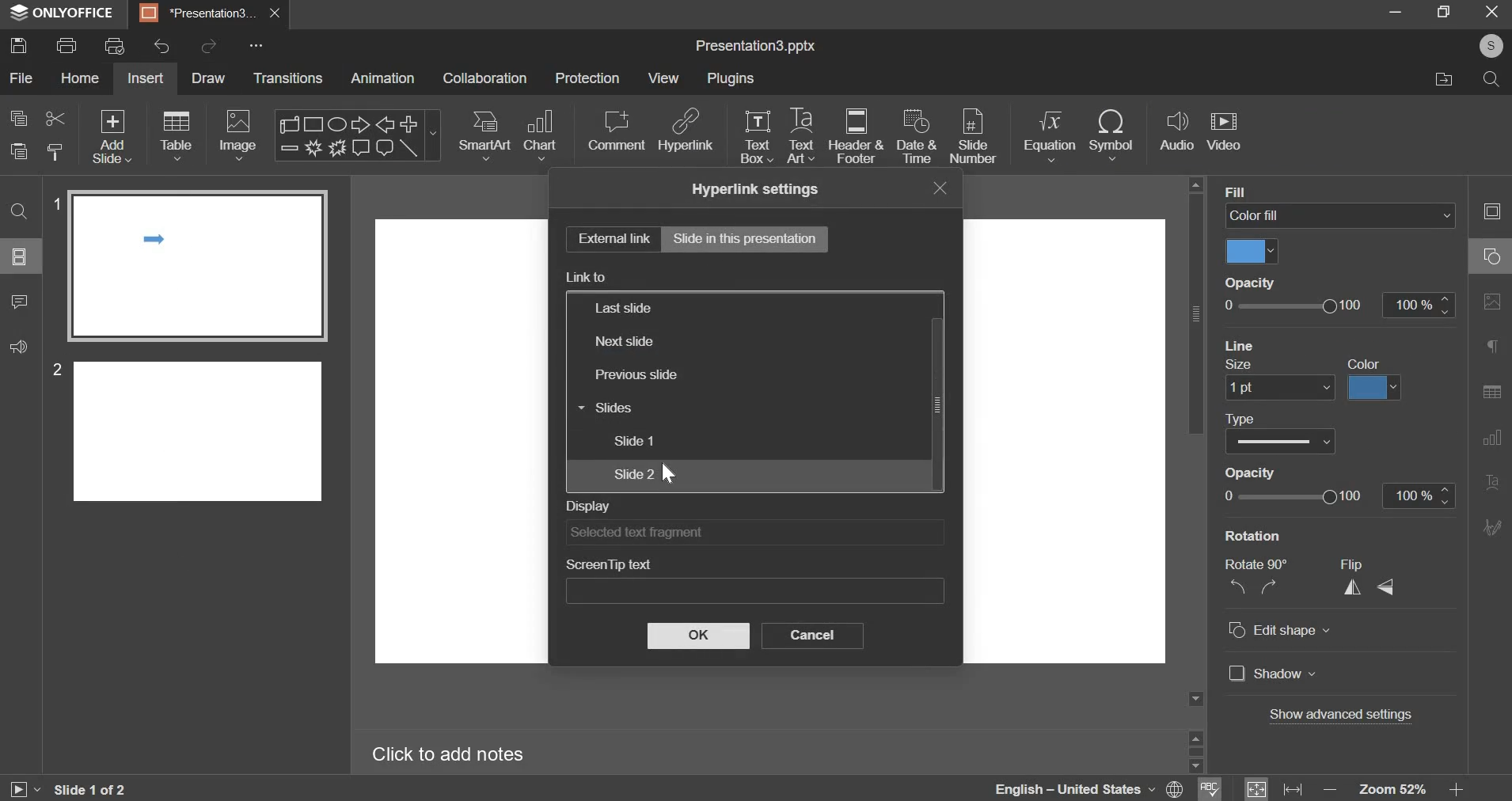 This screenshot has height=801, width=1512. Describe the element at coordinates (1457, 790) in the screenshot. I see `increase zoom` at that location.